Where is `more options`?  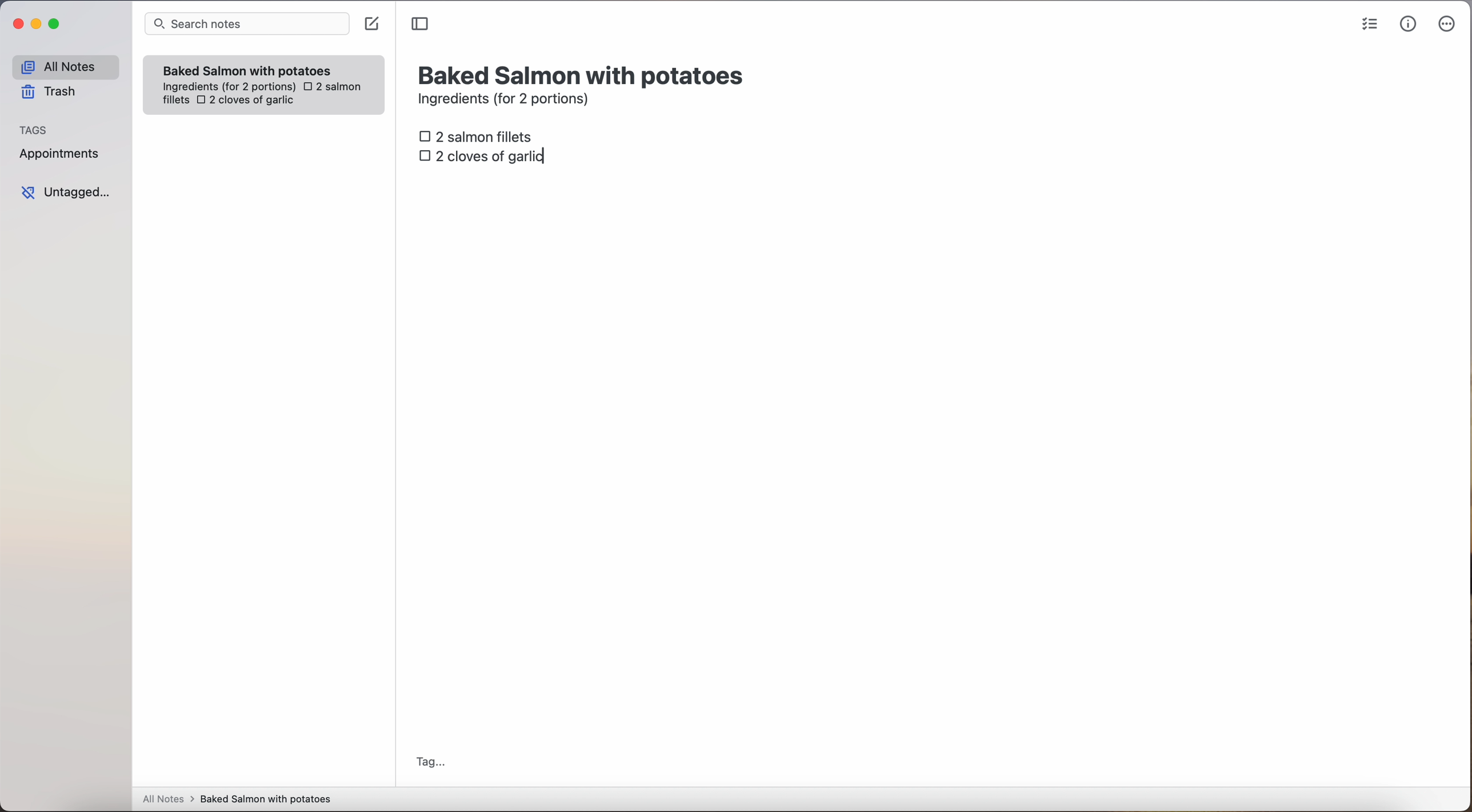 more options is located at coordinates (1449, 25).